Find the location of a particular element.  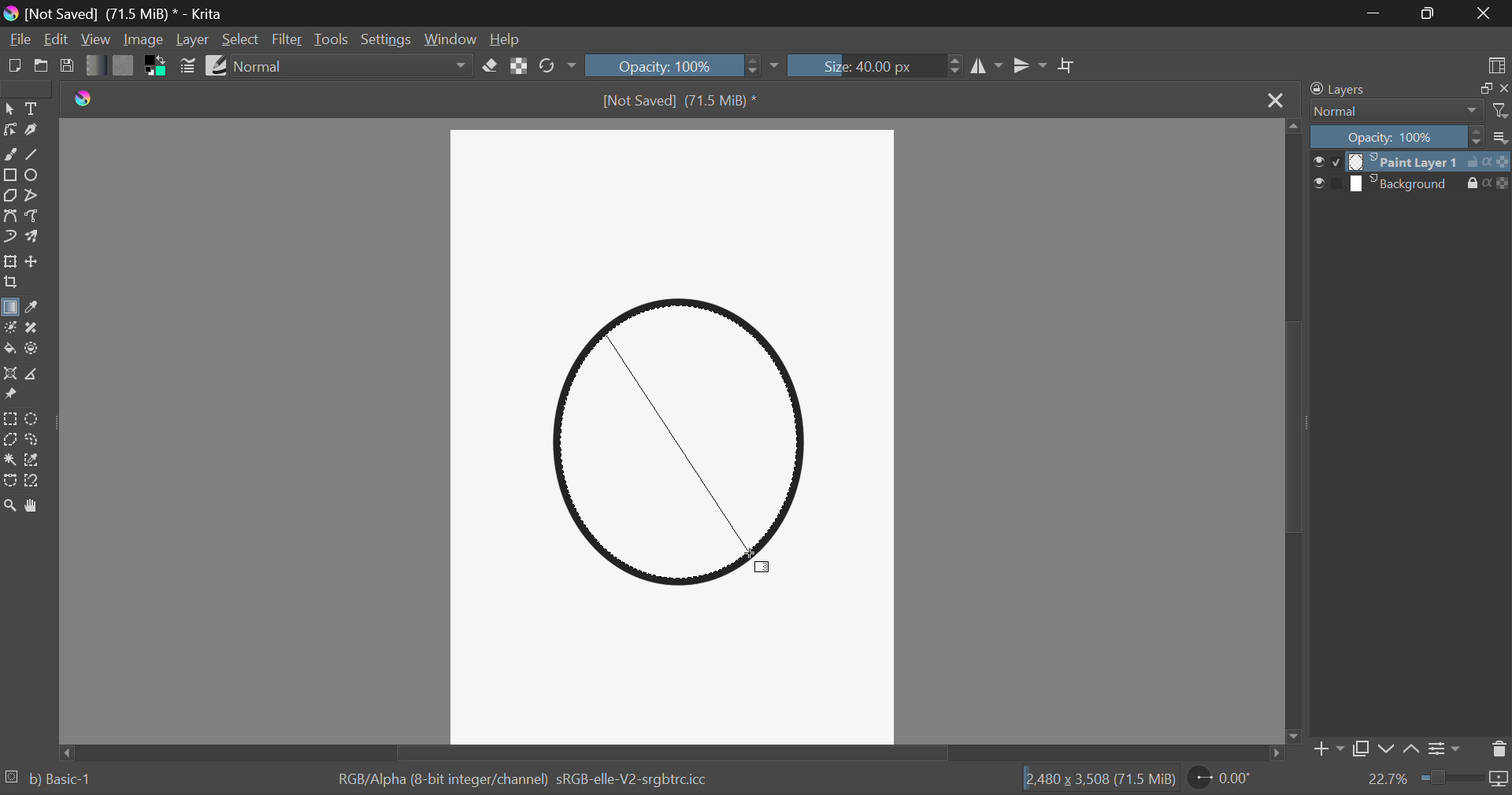

Bezier Curve Selection is located at coordinates (10, 483).